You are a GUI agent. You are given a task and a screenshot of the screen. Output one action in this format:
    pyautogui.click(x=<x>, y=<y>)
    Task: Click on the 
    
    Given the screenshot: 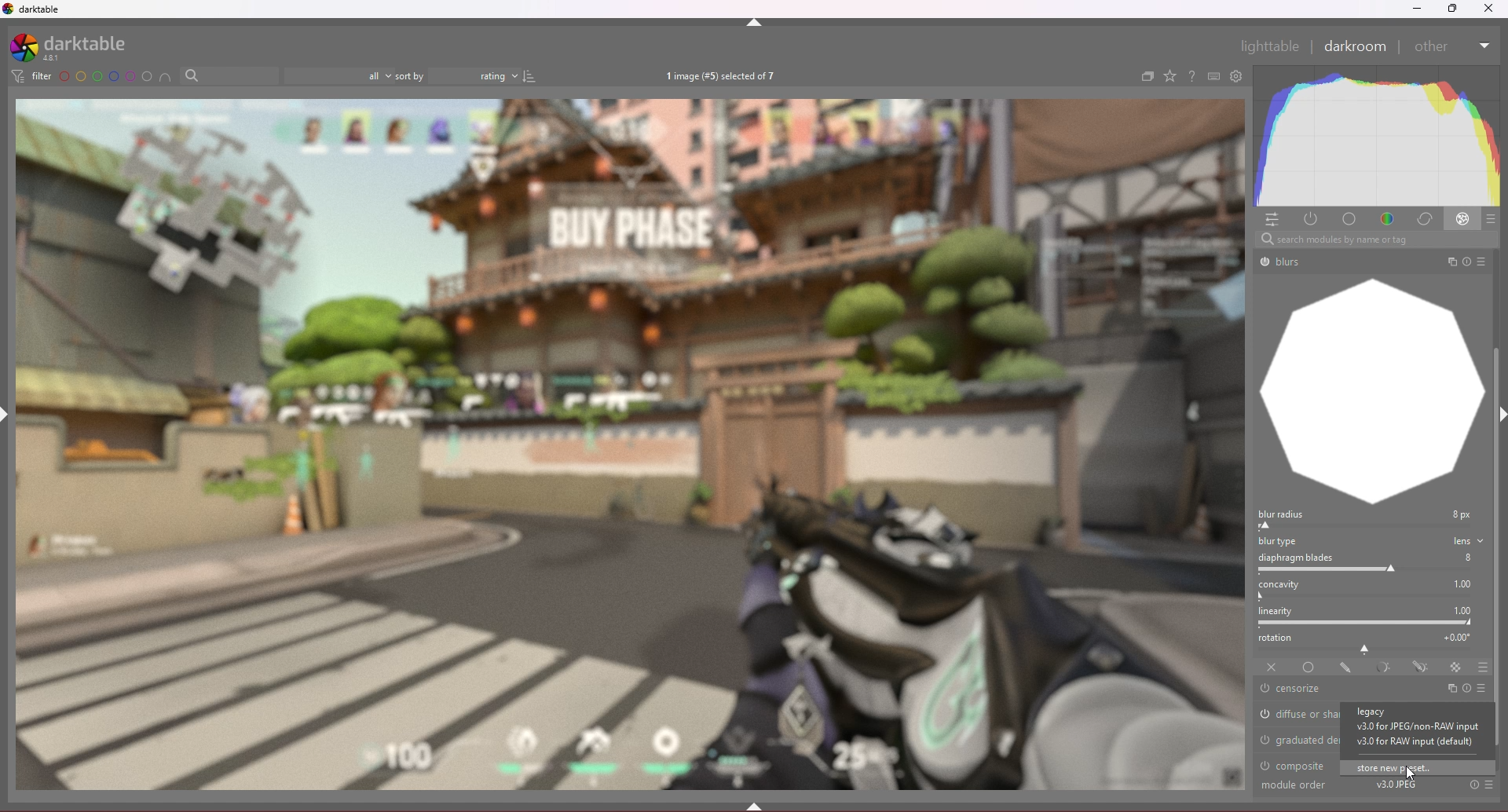 What is the action you would take?
    pyautogui.click(x=1375, y=240)
    